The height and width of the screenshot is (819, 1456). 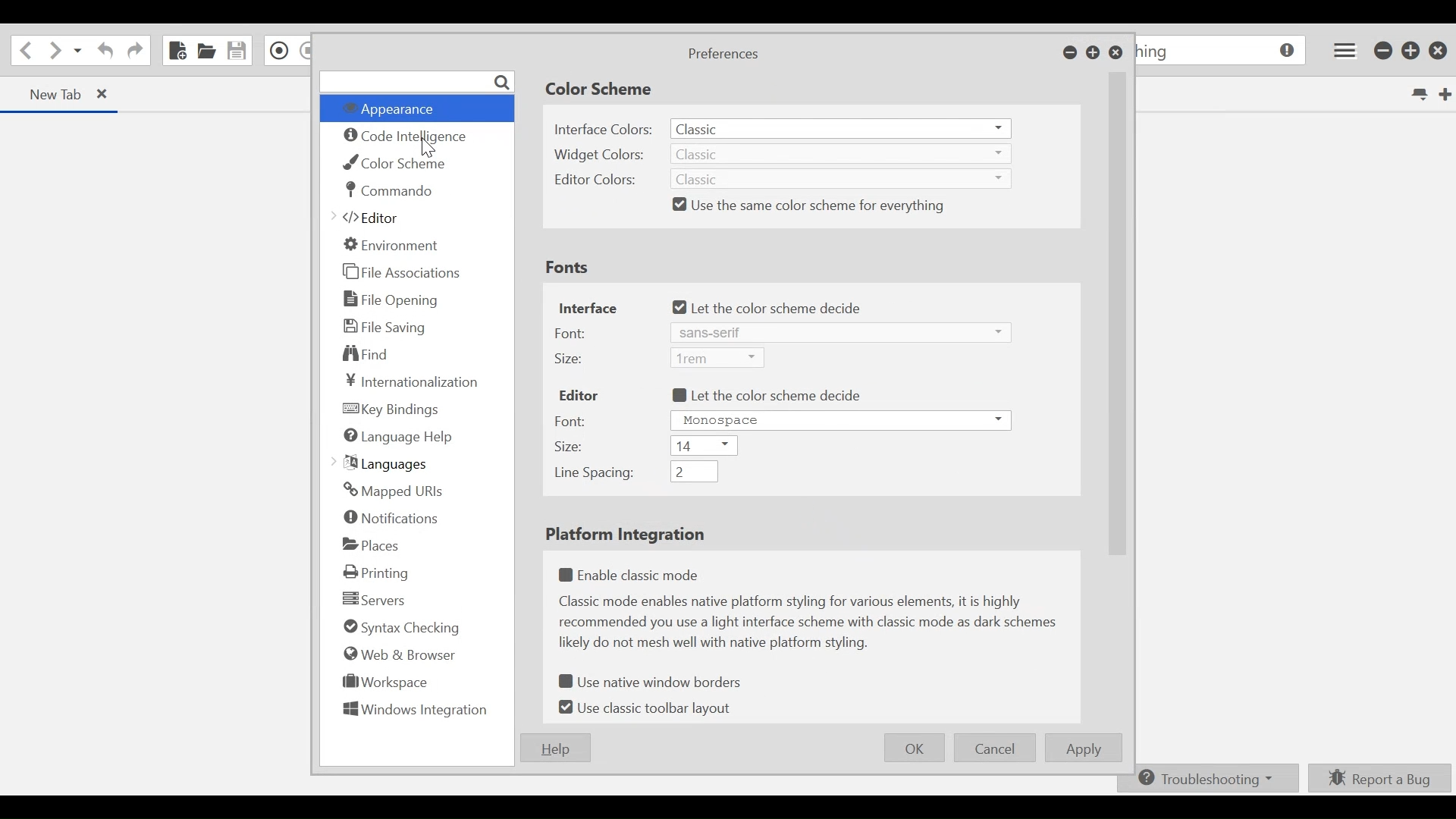 I want to click on Web & Browser, so click(x=398, y=654).